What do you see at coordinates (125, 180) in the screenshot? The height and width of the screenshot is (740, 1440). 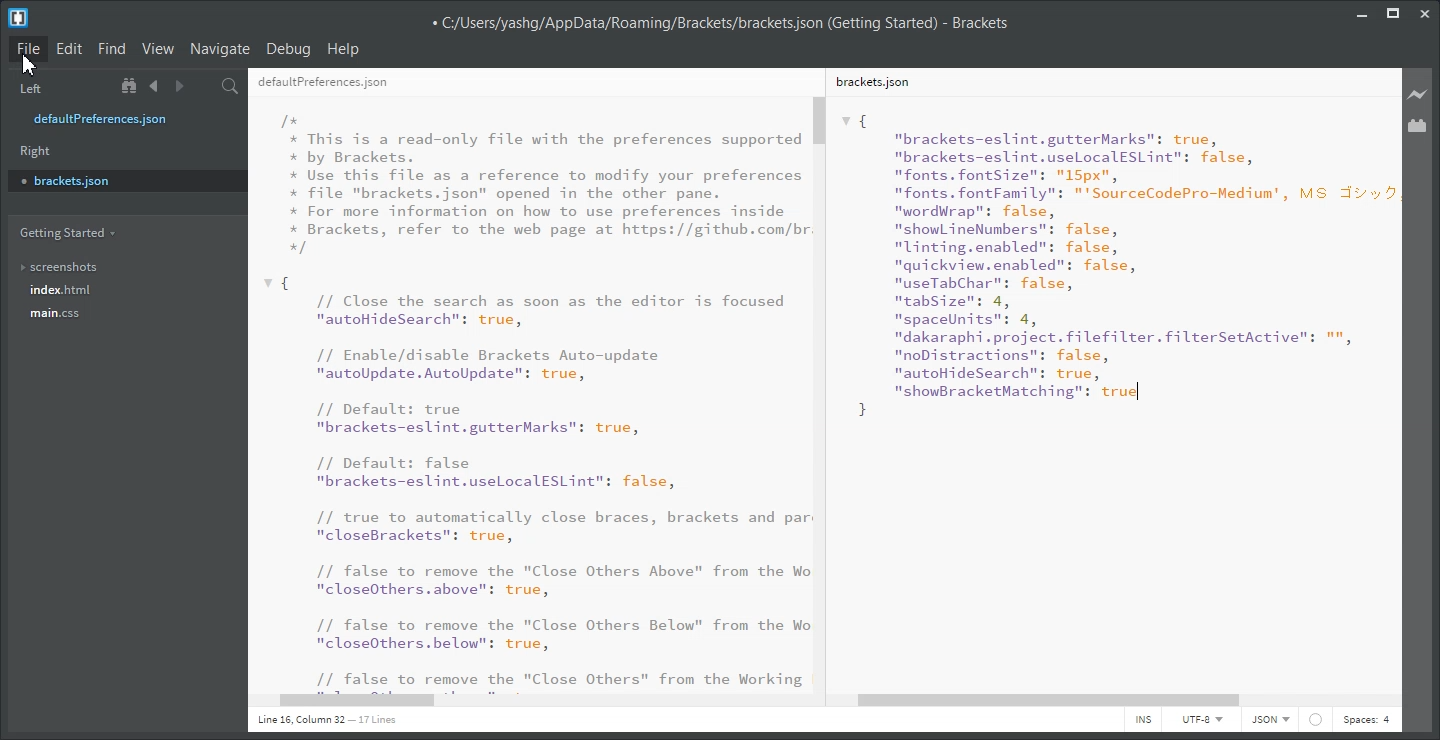 I see `brackets.json` at bounding box center [125, 180].